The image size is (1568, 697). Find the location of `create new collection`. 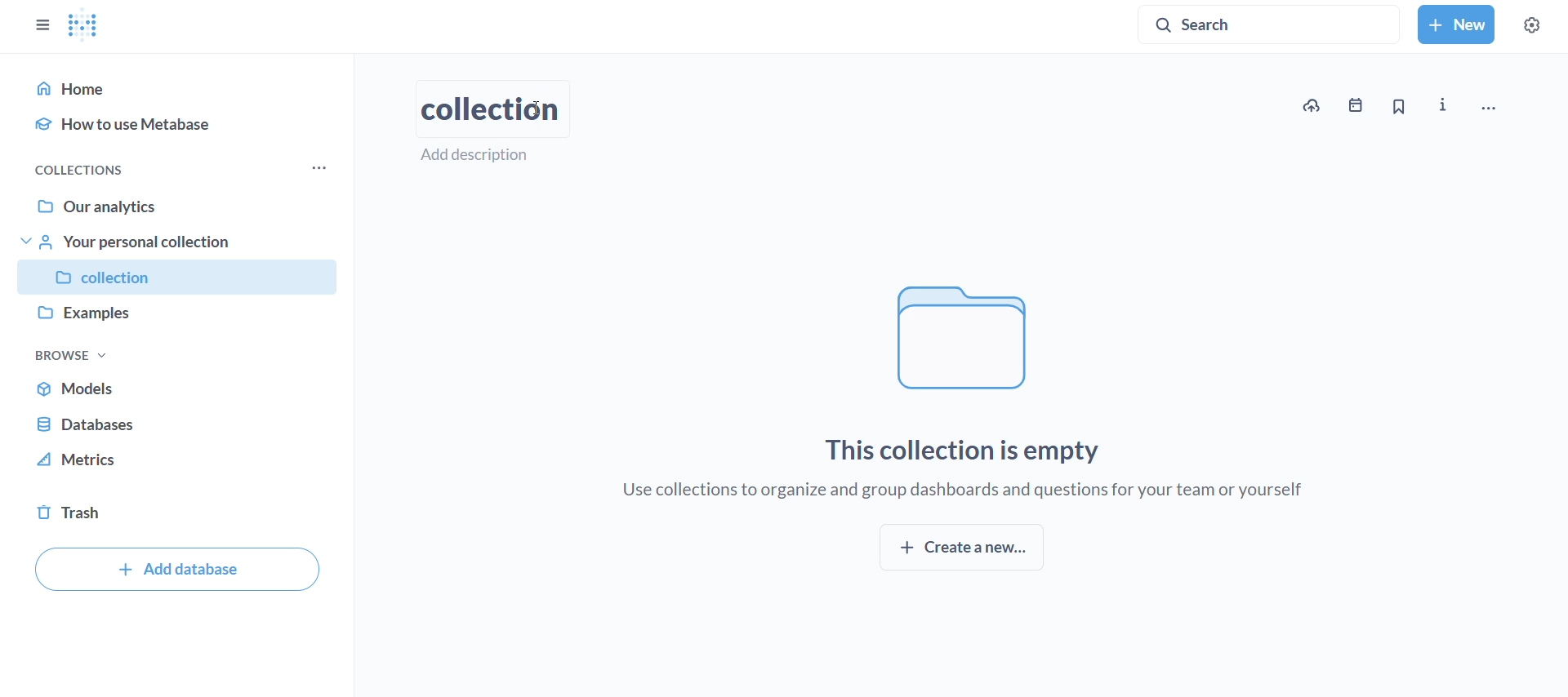

create new collection is located at coordinates (961, 548).